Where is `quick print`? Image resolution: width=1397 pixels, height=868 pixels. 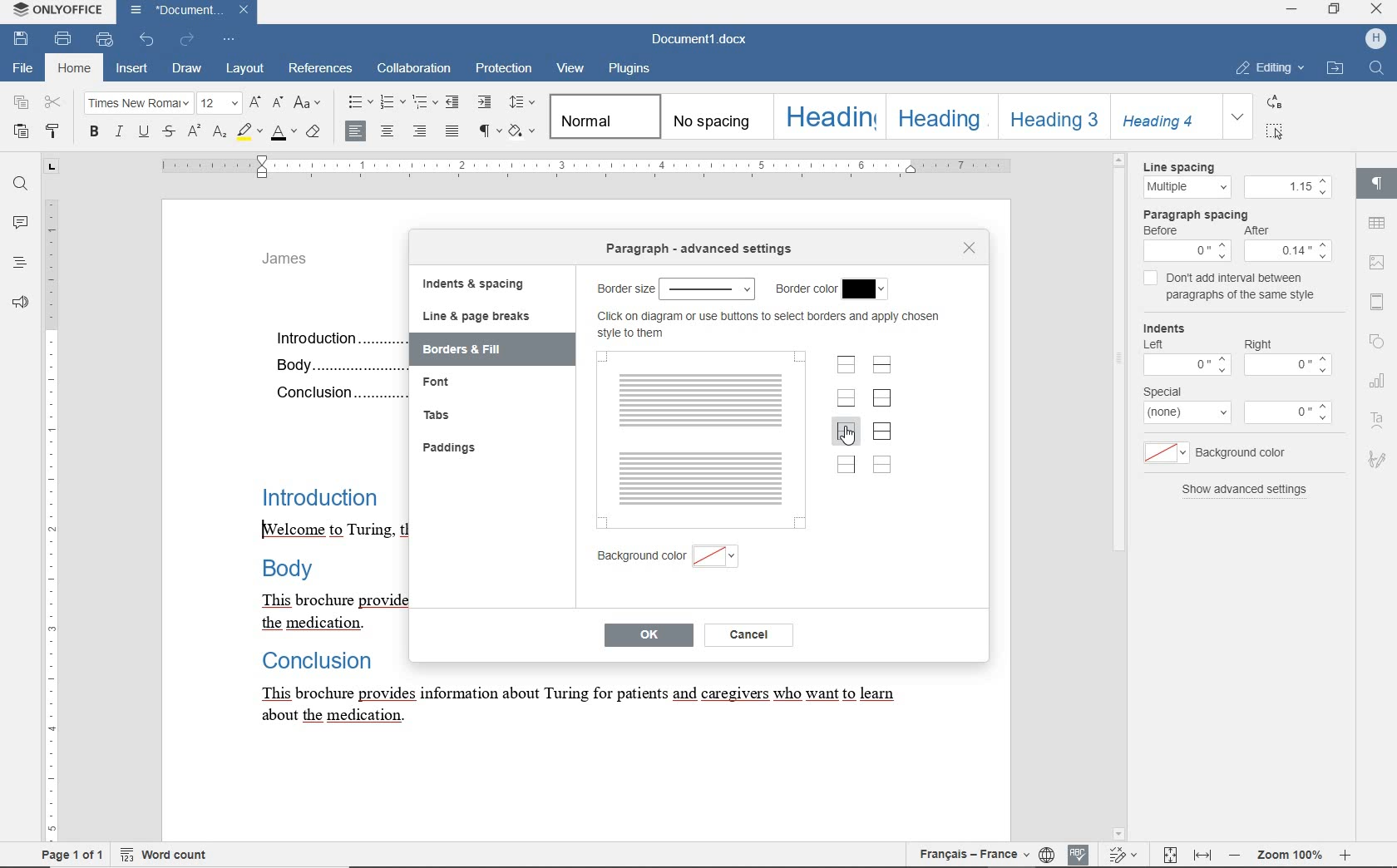
quick print is located at coordinates (104, 40).